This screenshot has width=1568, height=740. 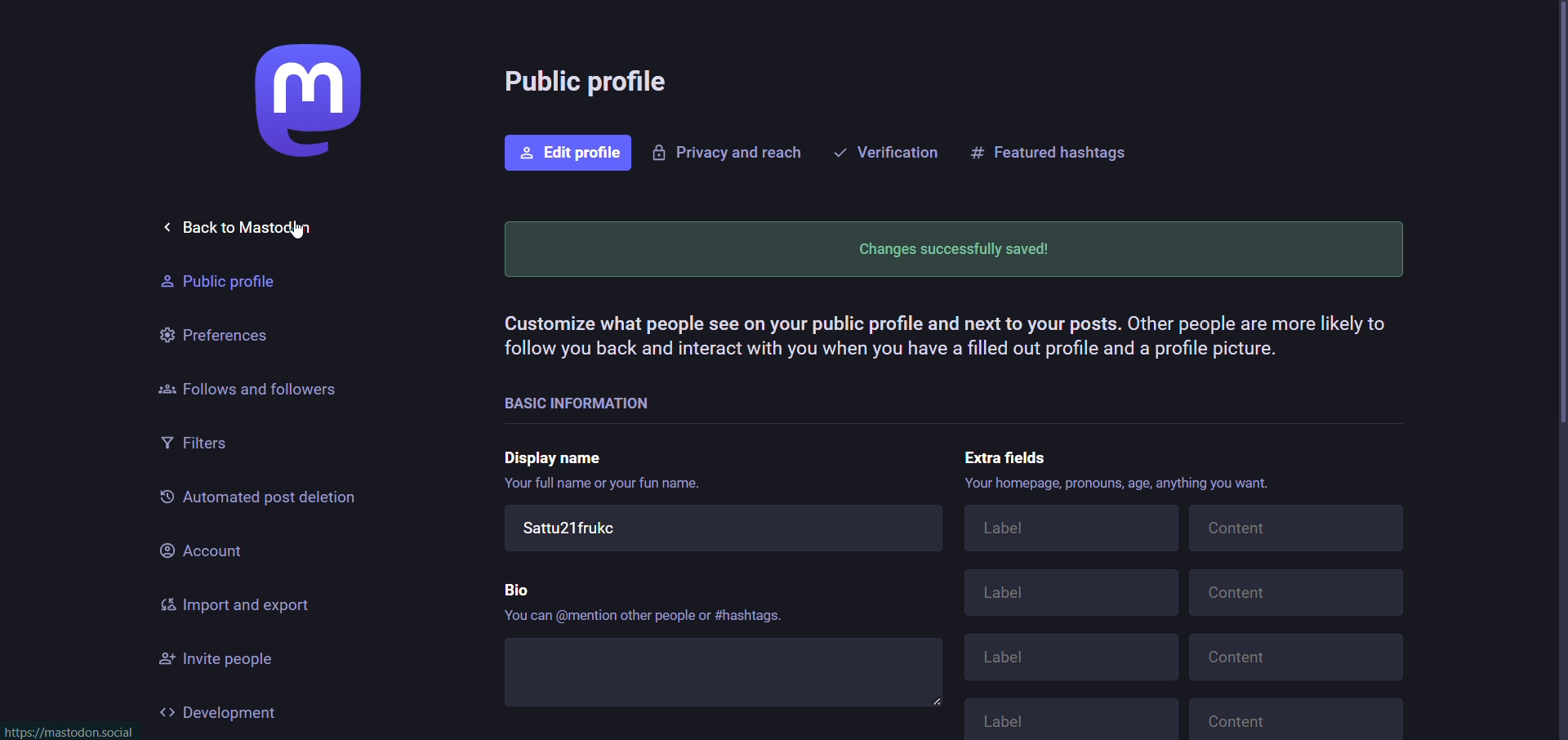 I want to click on Label, so click(x=1067, y=596).